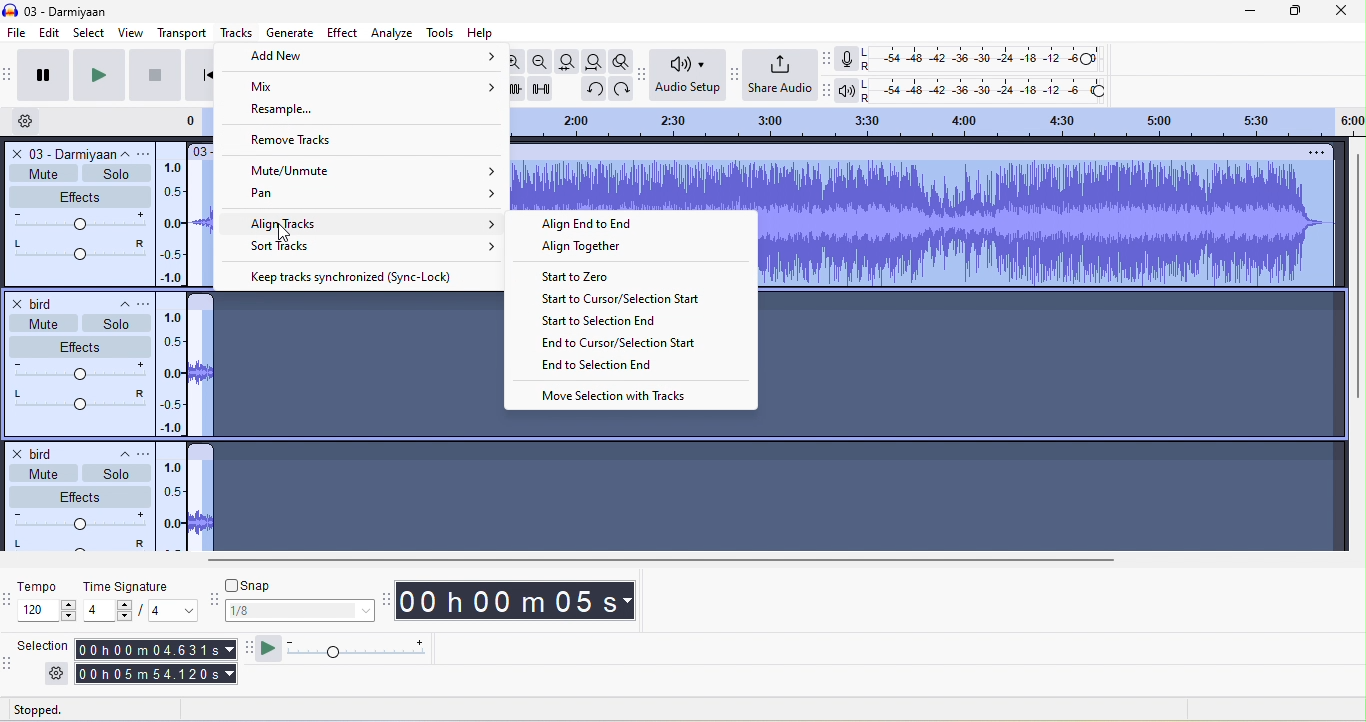  I want to click on mute, so click(43, 171).